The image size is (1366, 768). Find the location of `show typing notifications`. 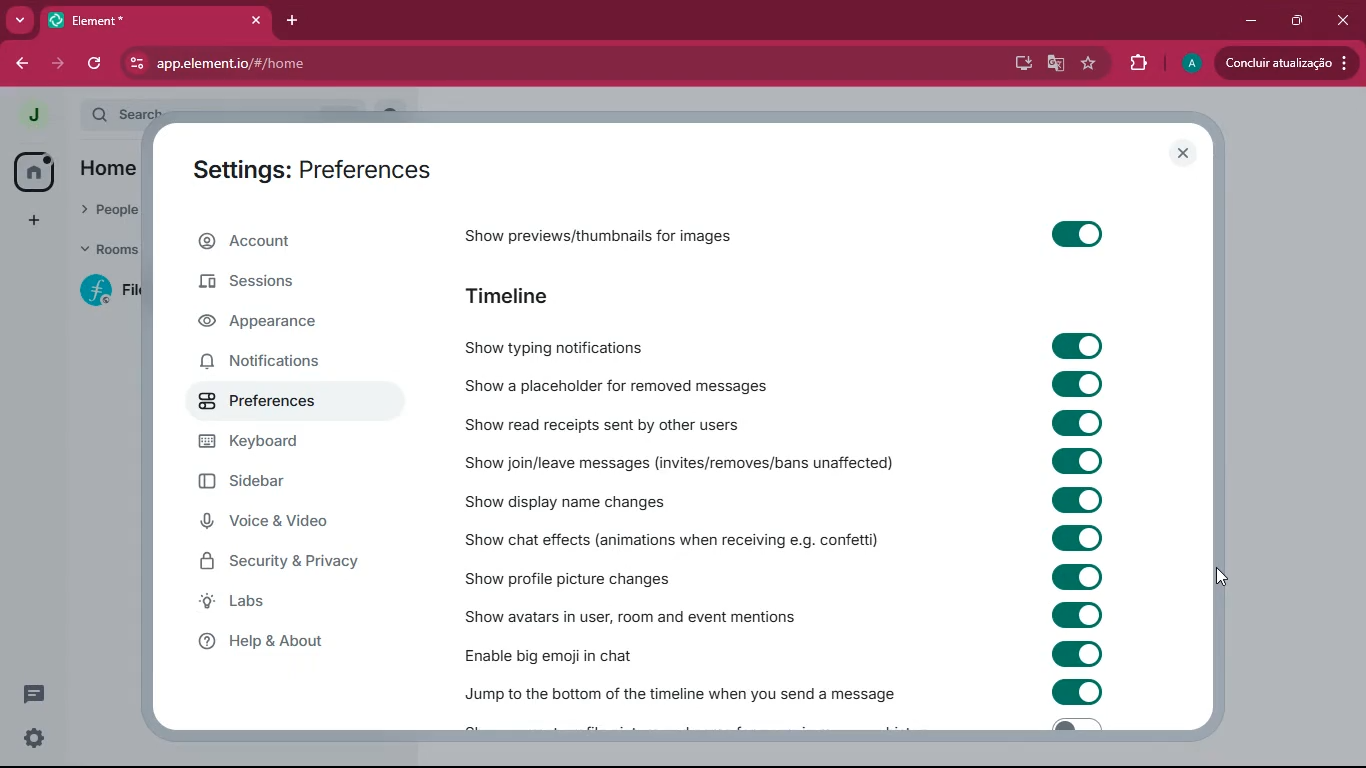

show typing notifications is located at coordinates (627, 348).